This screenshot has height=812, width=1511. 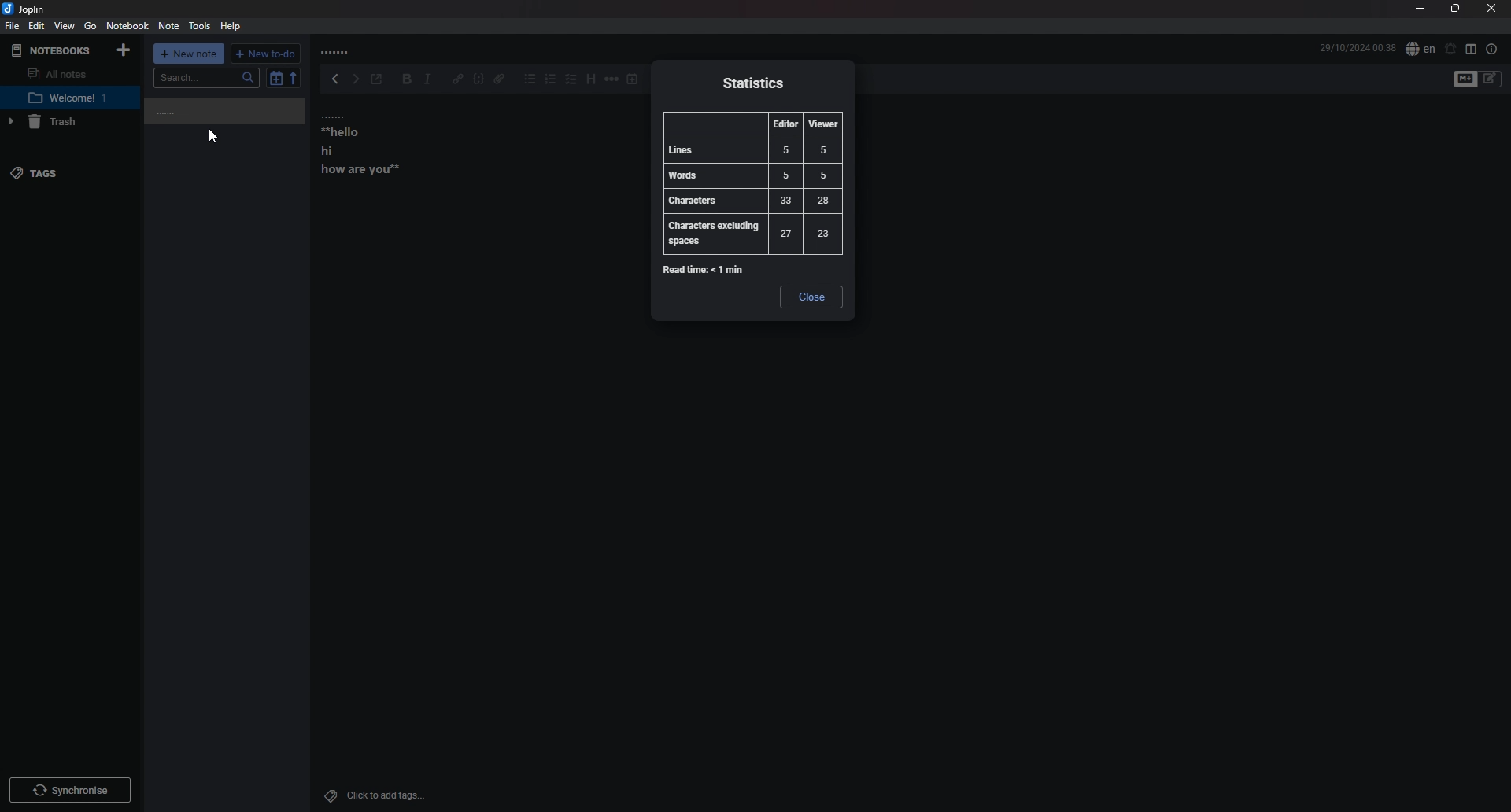 What do you see at coordinates (478, 79) in the screenshot?
I see `Code` at bounding box center [478, 79].